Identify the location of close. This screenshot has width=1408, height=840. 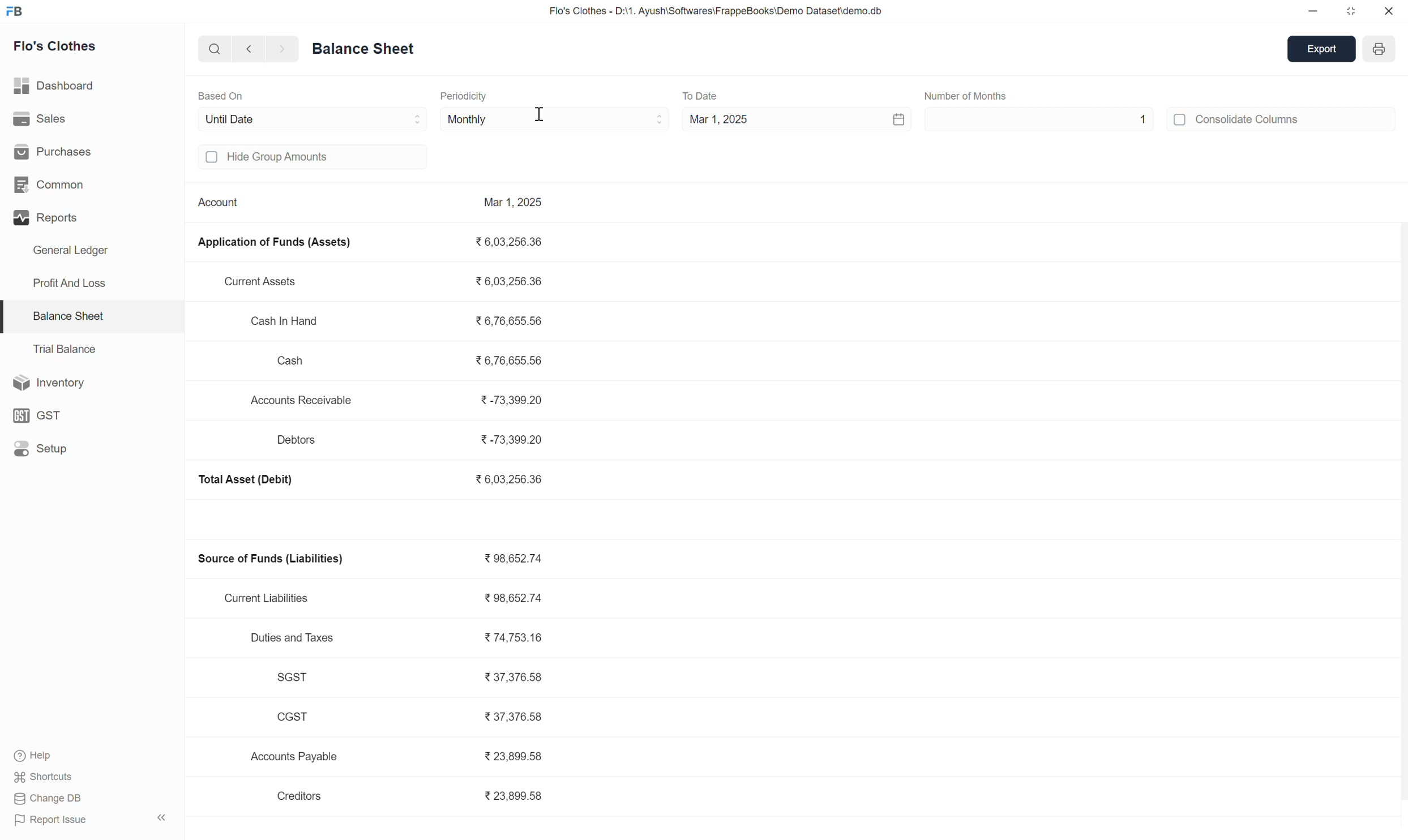
(1386, 11).